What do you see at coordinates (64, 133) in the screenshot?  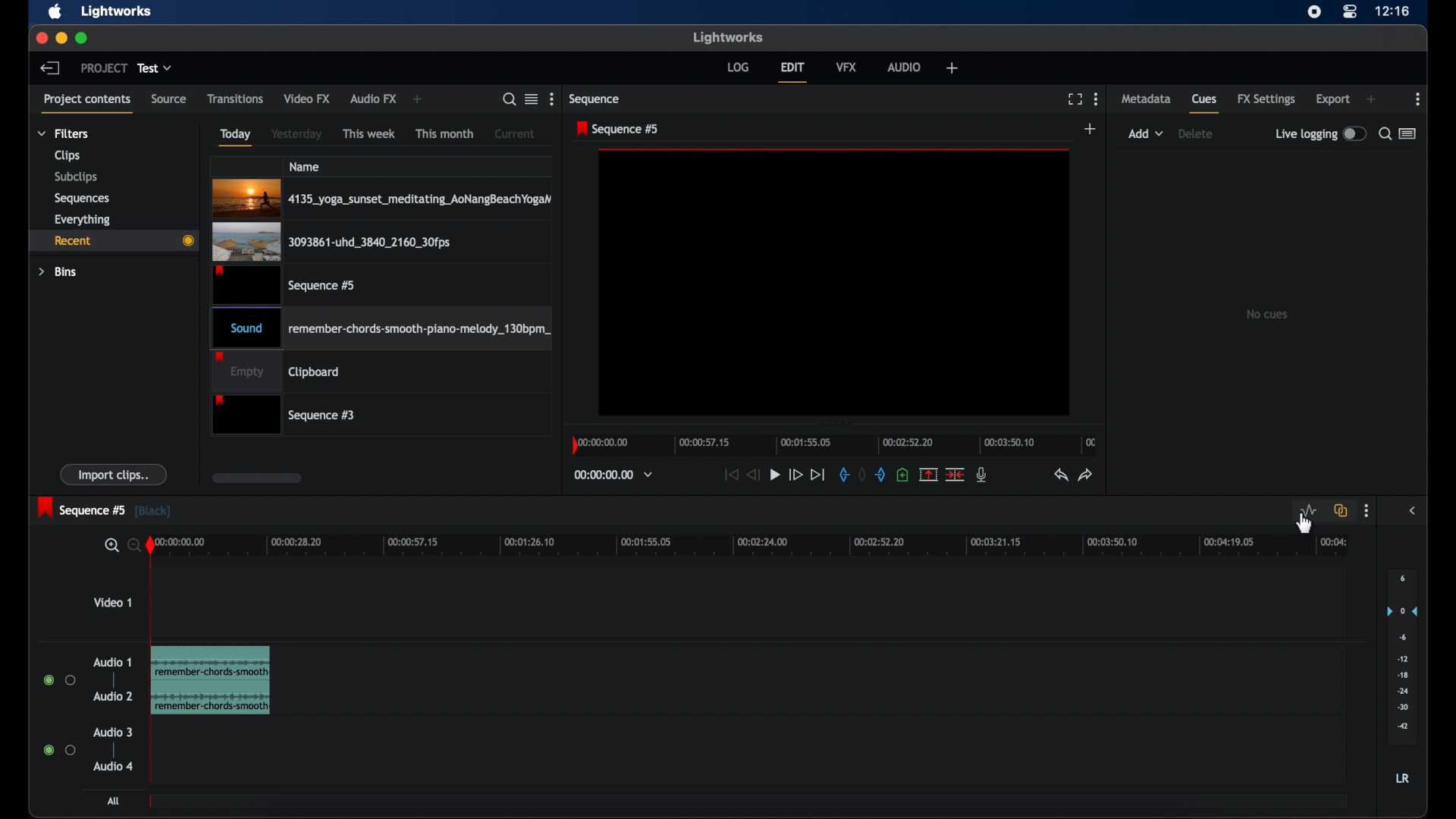 I see `filters` at bounding box center [64, 133].